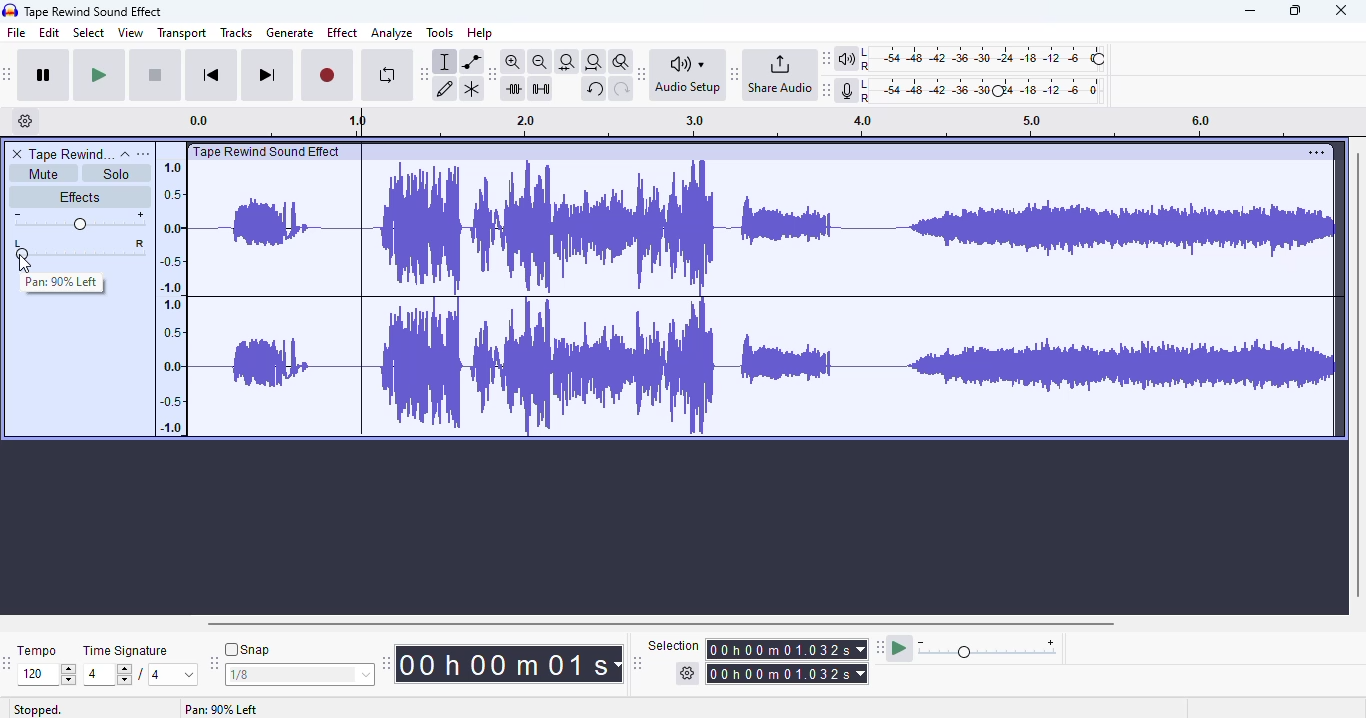  Describe the element at coordinates (46, 675) in the screenshot. I see `120` at that location.